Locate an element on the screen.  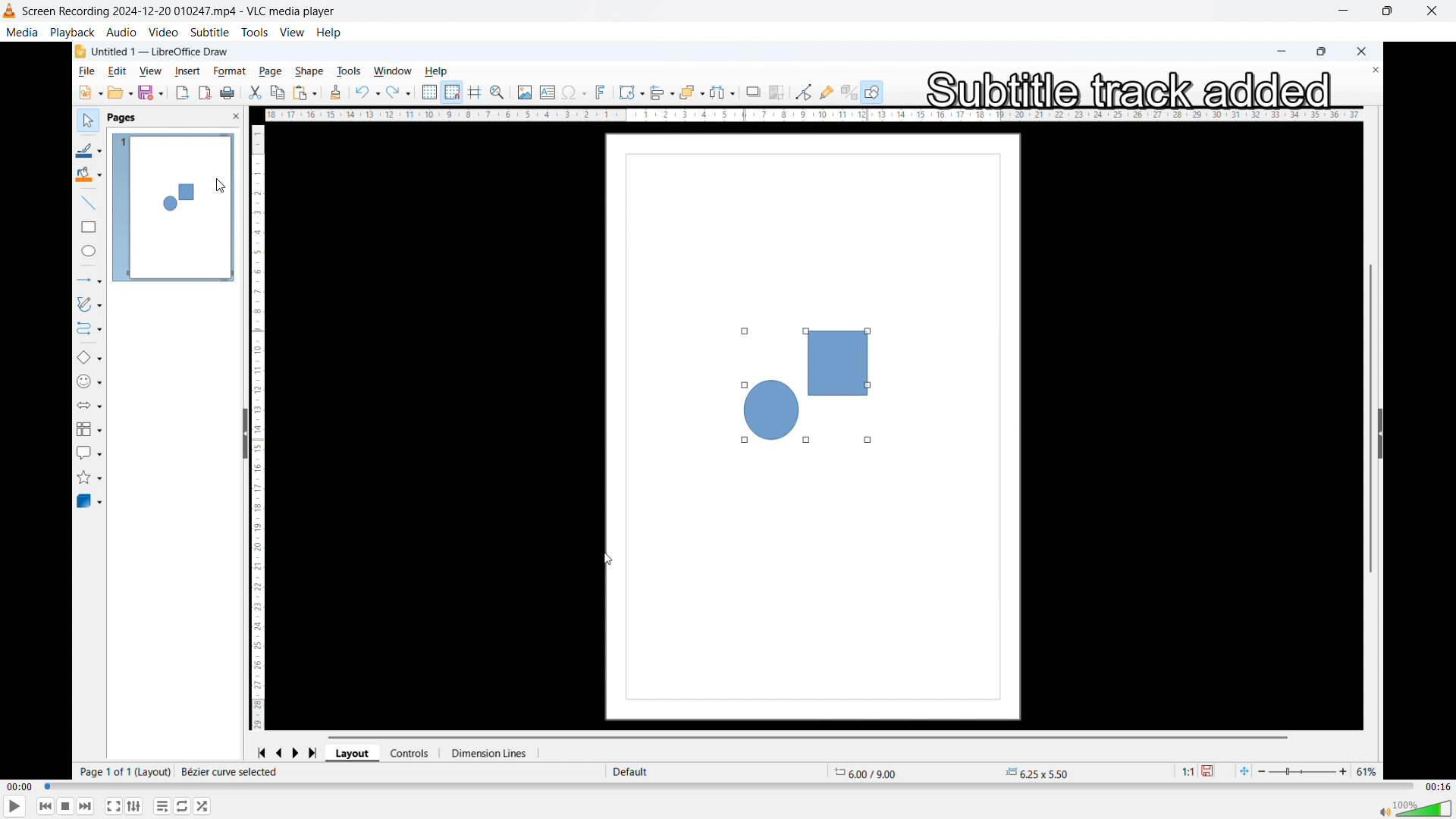
shapes is located at coordinates (801, 384).